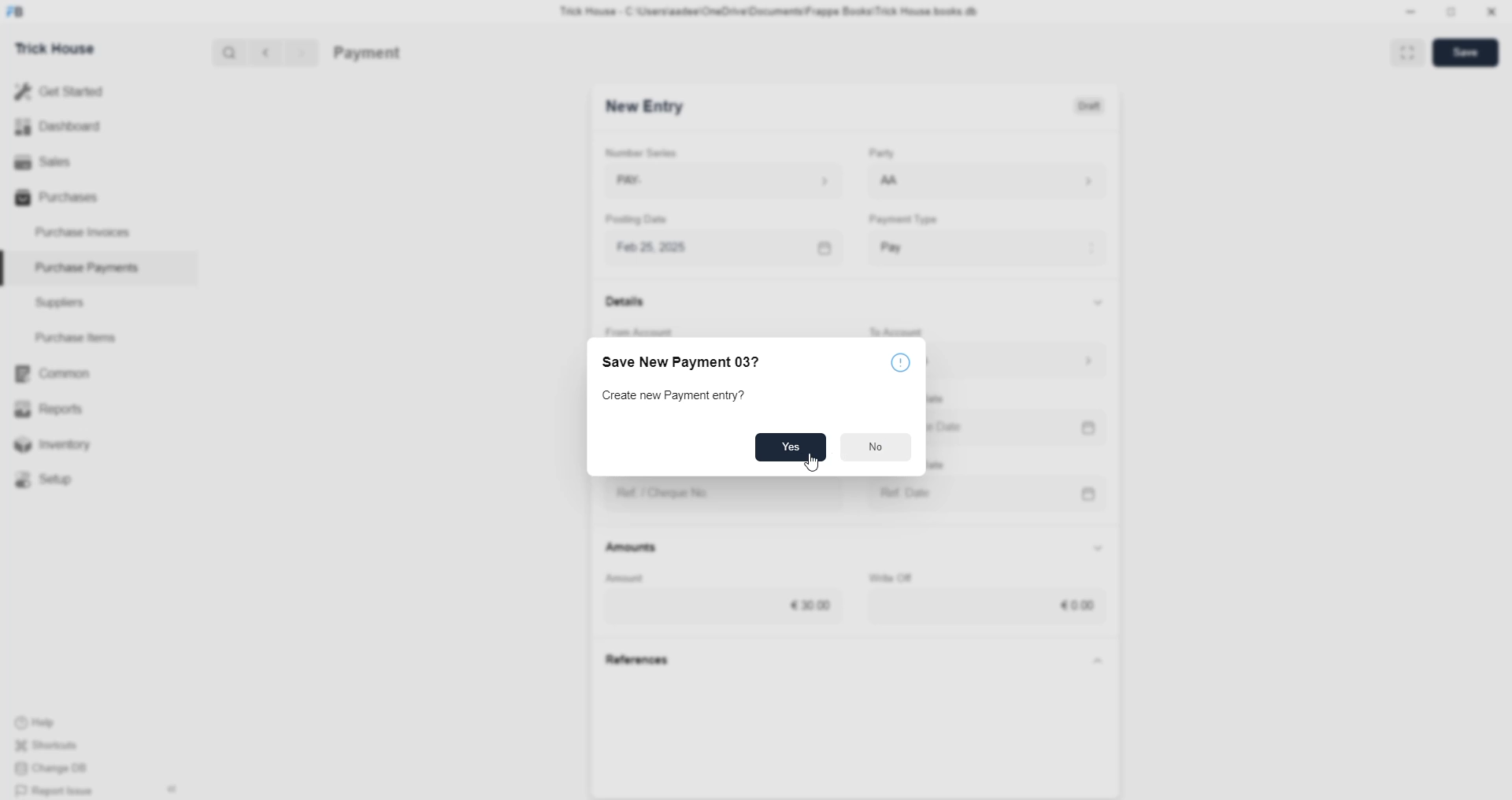 The image size is (1512, 800). What do you see at coordinates (50, 47) in the screenshot?
I see `Trick House` at bounding box center [50, 47].